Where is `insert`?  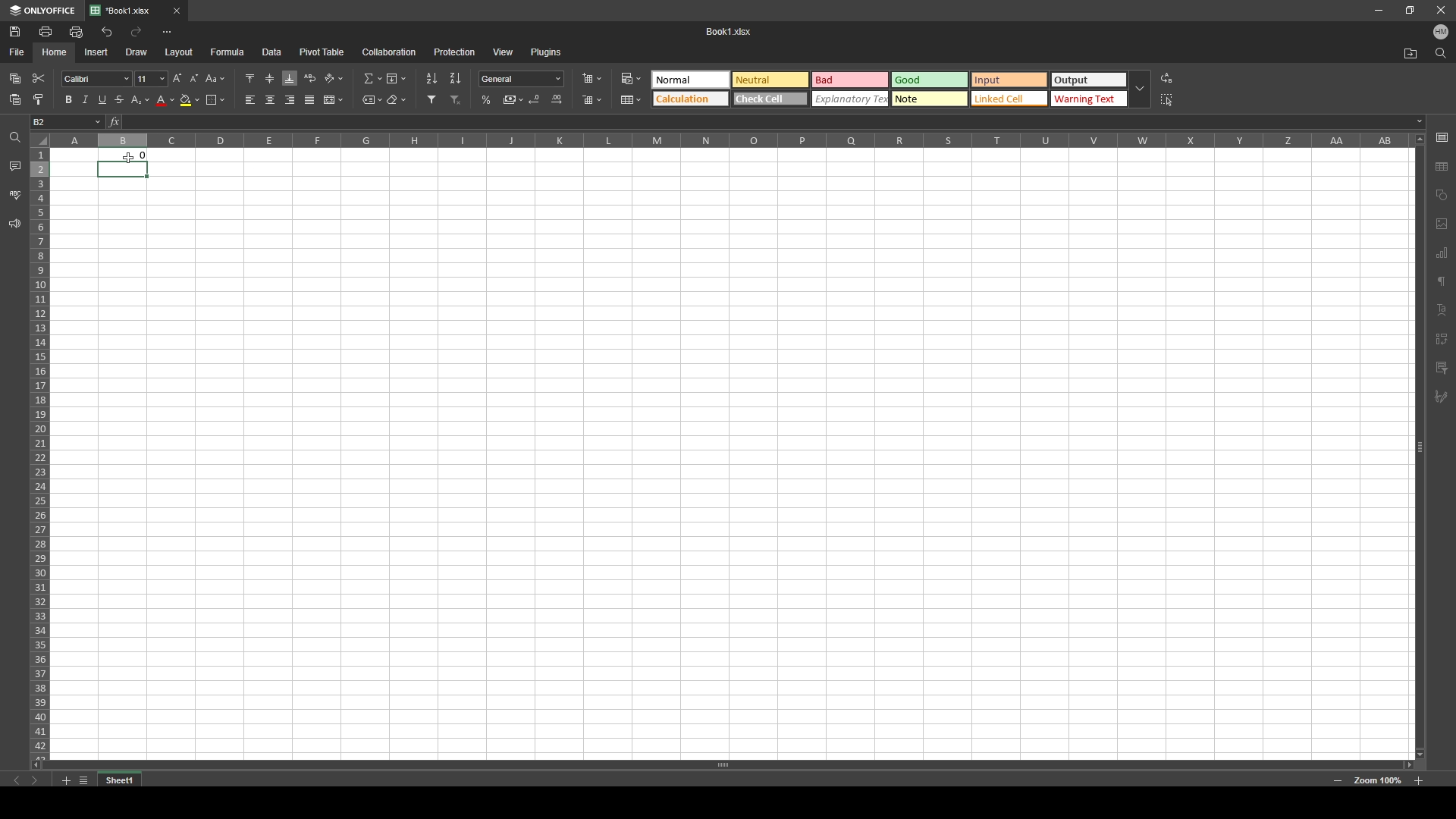 insert is located at coordinates (97, 52).